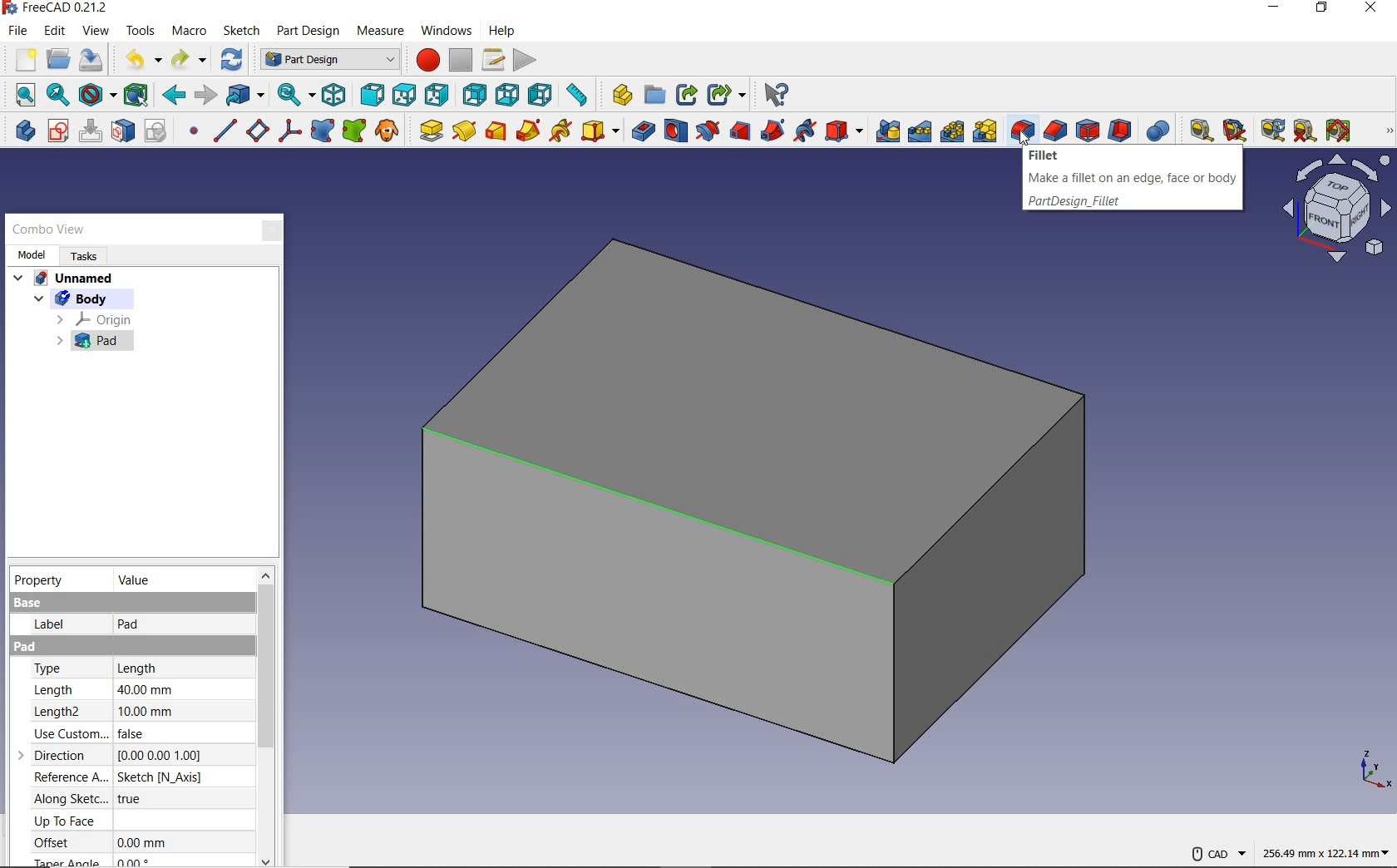 The width and height of the screenshot is (1397, 868). Describe the element at coordinates (686, 96) in the screenshot. I see `make link` at that location.